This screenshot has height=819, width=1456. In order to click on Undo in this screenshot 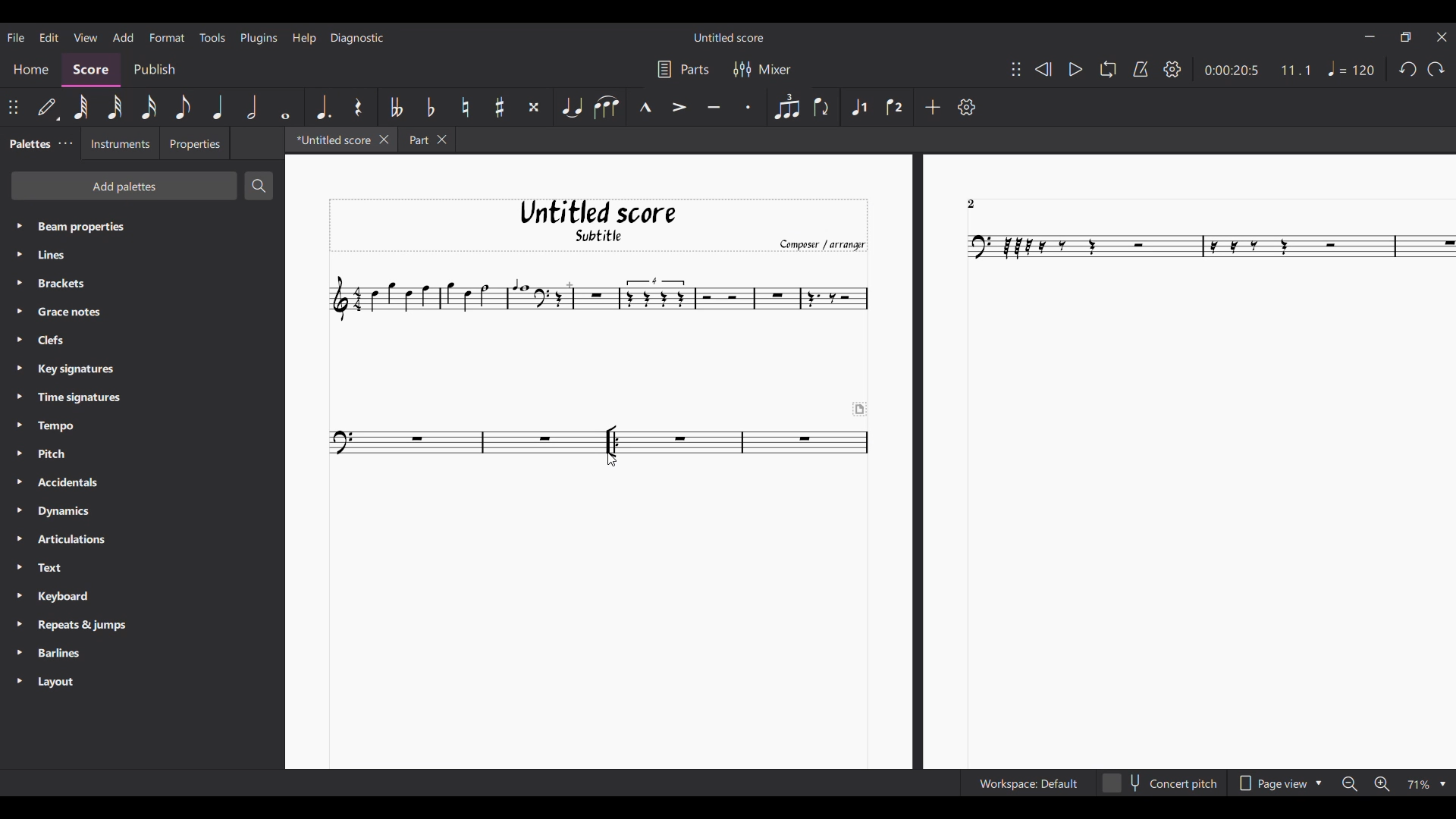, I will do `click(1407, 69)`.